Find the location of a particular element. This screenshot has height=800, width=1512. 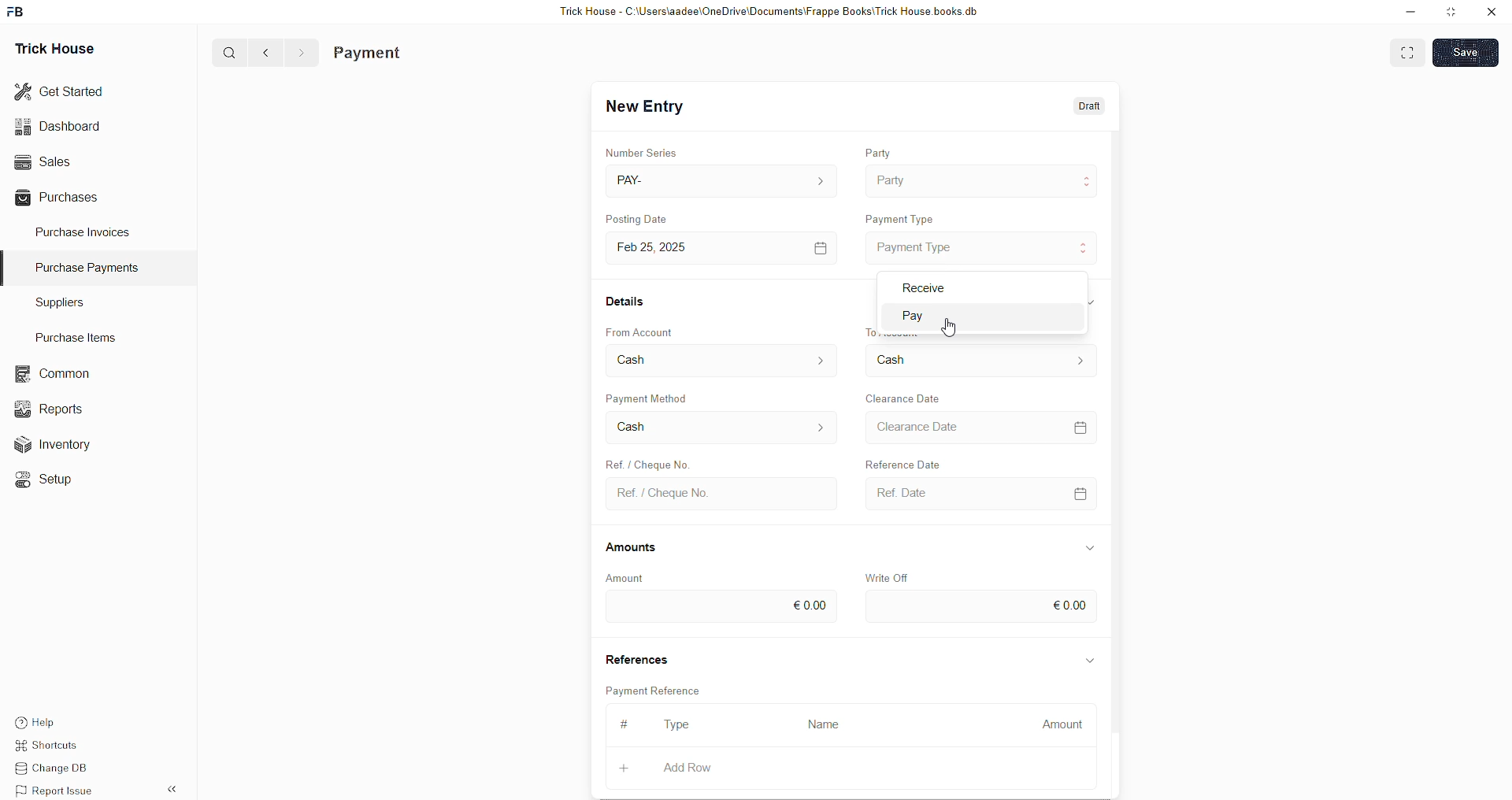

cursor is located at coordinates (954, 328).